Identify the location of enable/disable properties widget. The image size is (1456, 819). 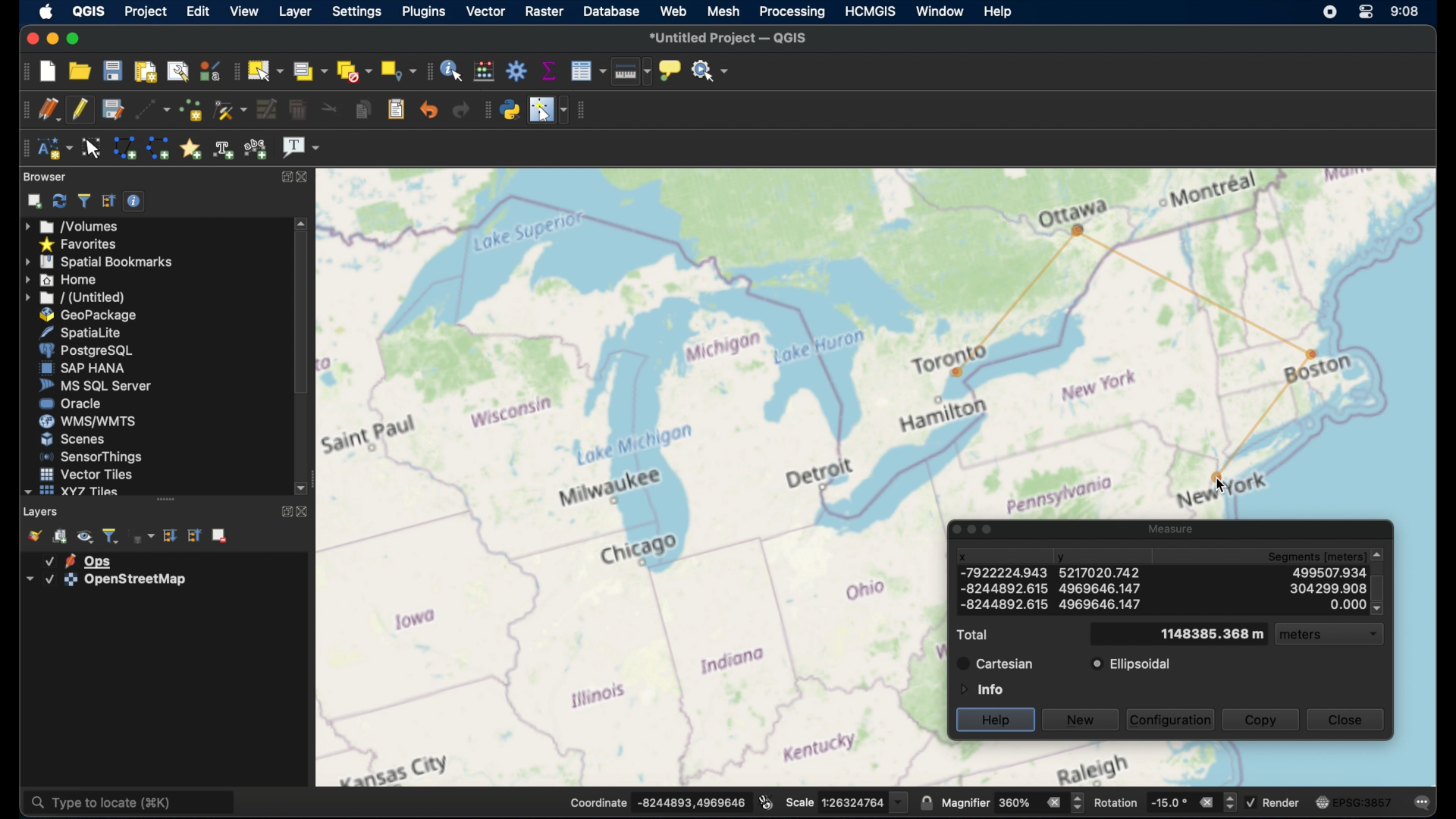
(134, 200).